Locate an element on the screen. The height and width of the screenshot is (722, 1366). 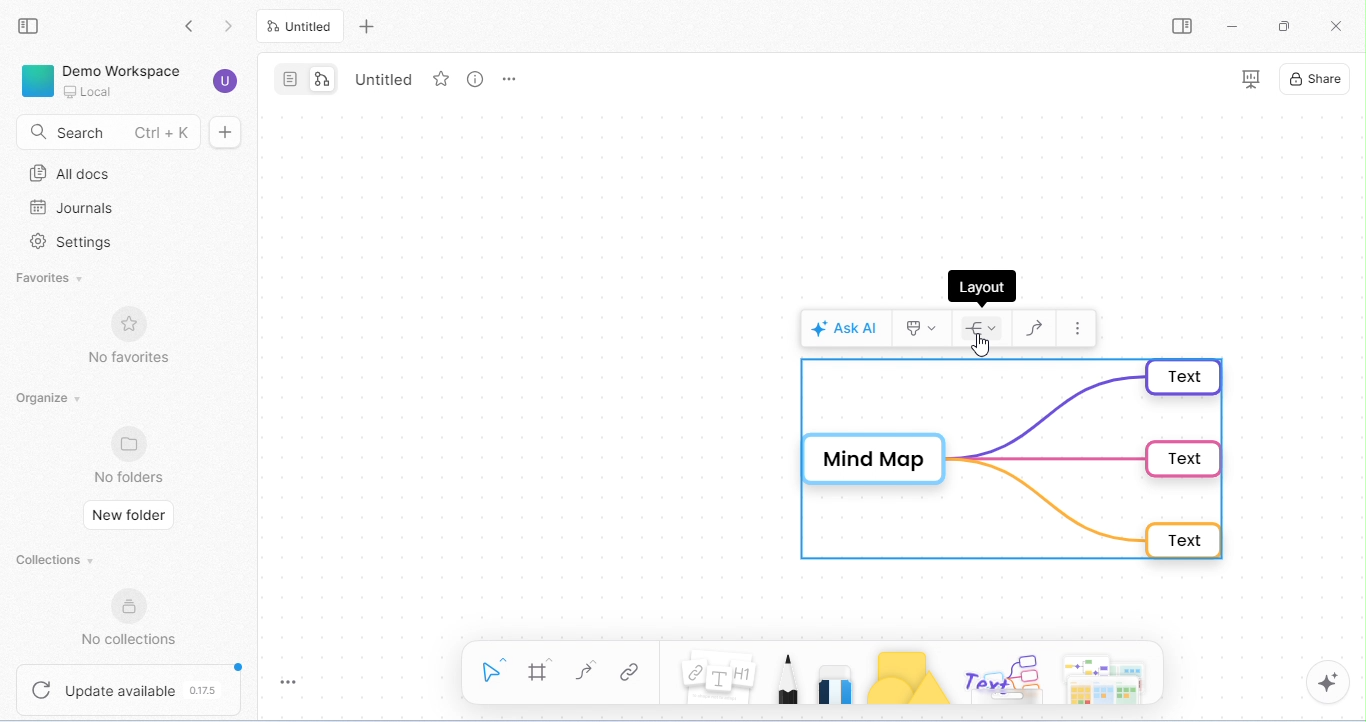
layout is located at coordinates (985, 327).